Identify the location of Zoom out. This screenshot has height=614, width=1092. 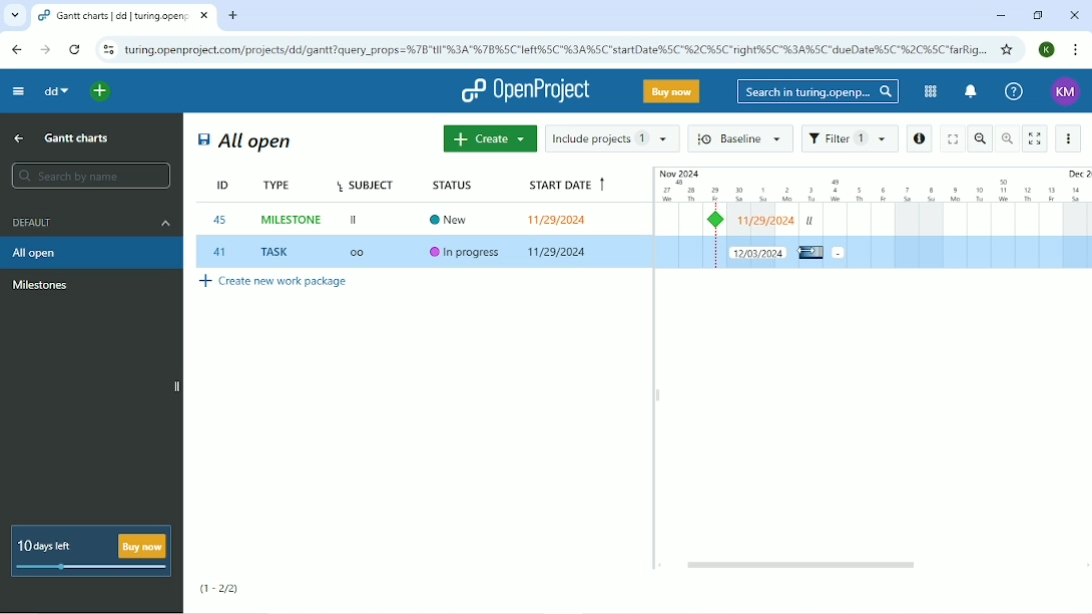
(981, 138).